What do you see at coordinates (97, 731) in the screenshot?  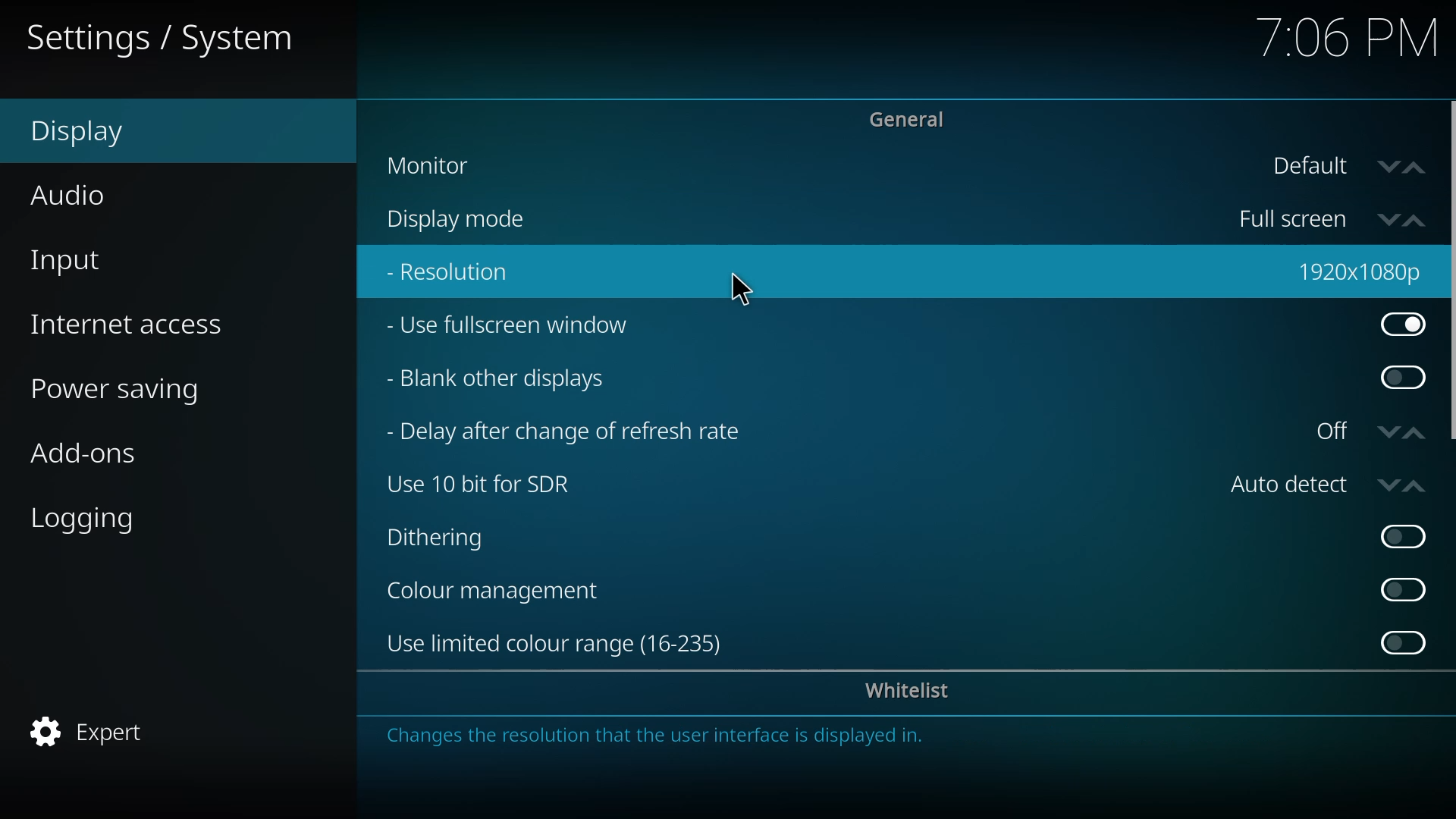 I see `expert` at bounding box center [97, 731].